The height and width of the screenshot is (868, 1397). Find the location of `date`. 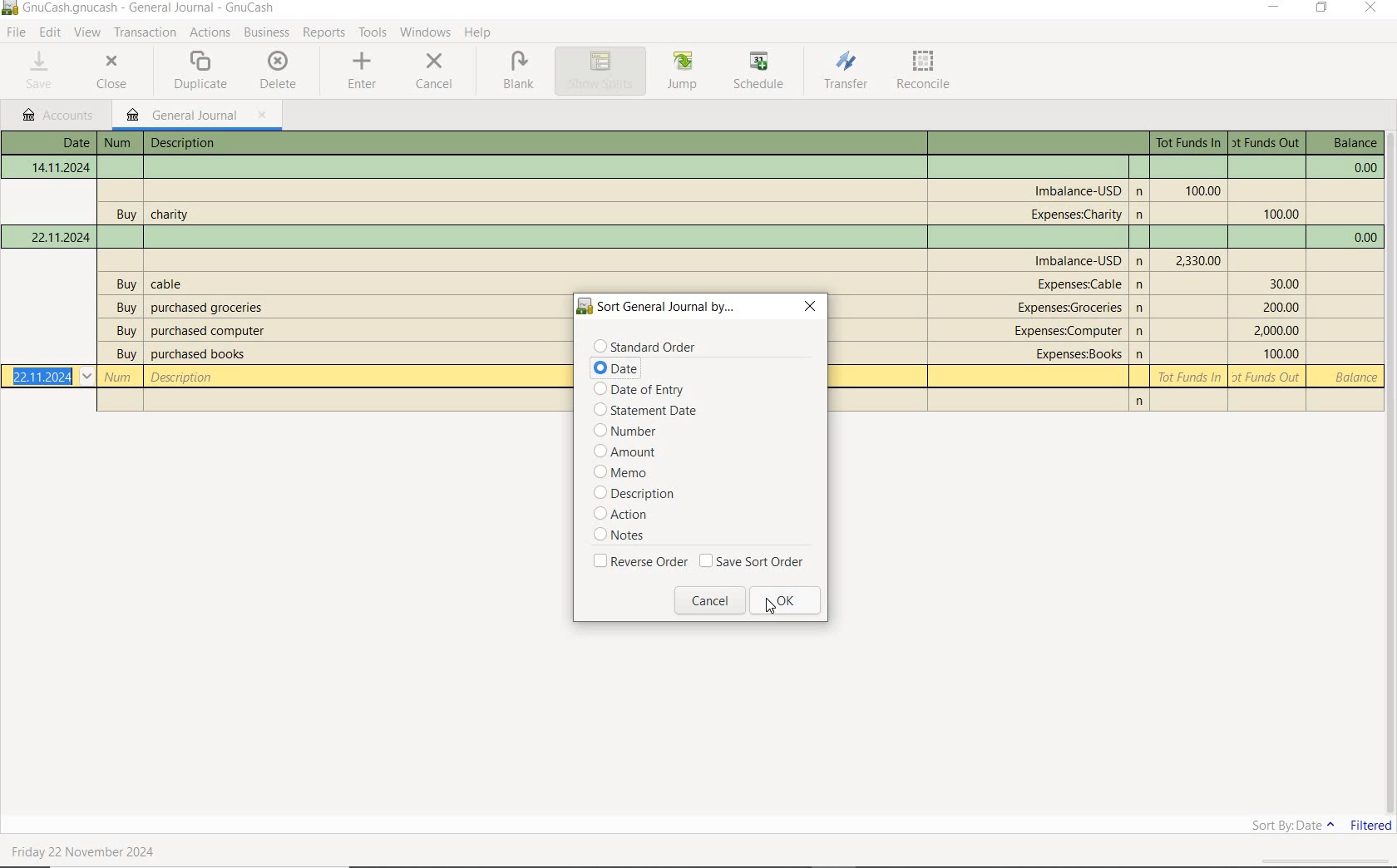

date is located at coordinates (617, 369).